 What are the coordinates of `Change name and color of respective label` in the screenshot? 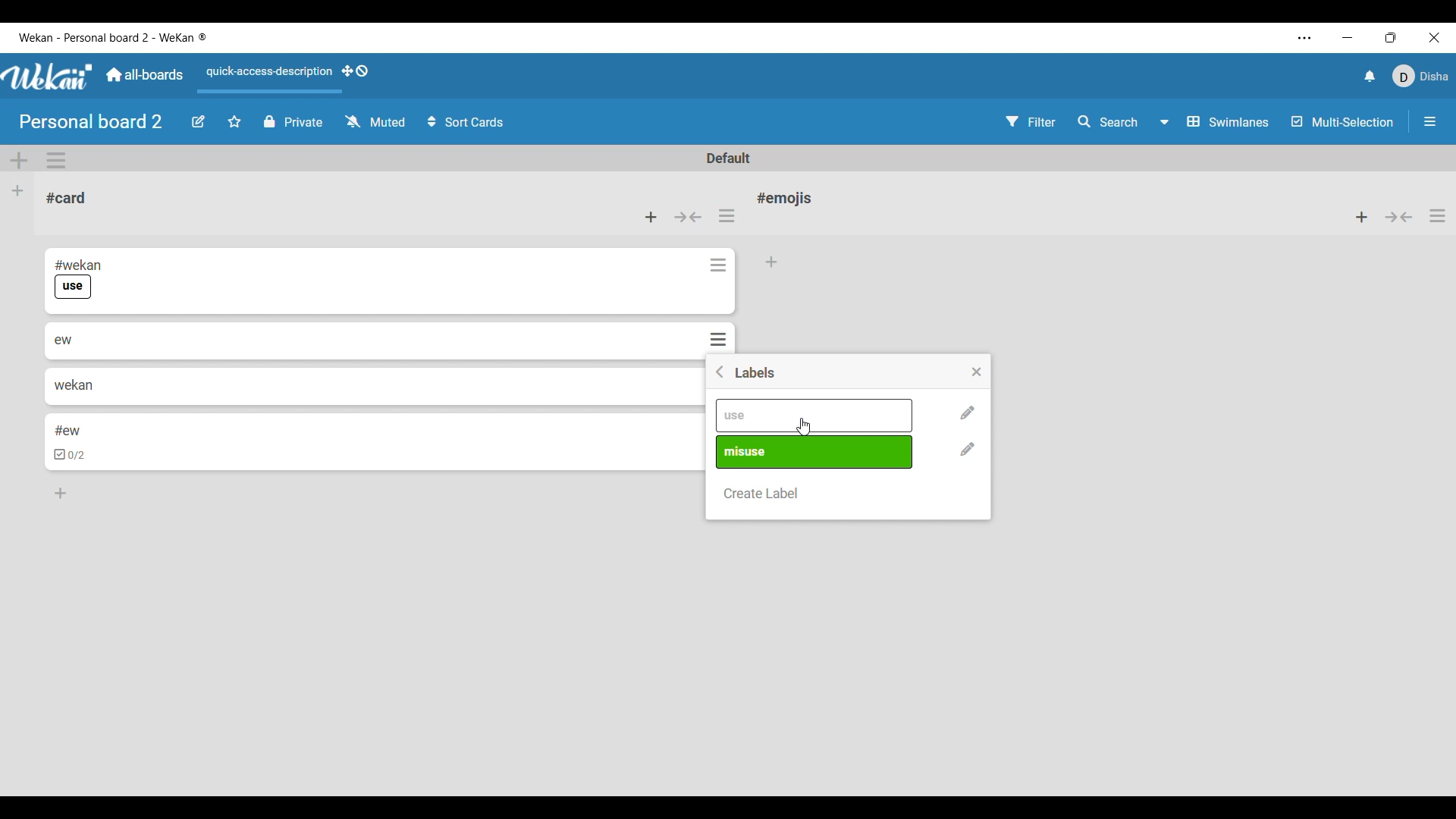 It's located at (968, 449).